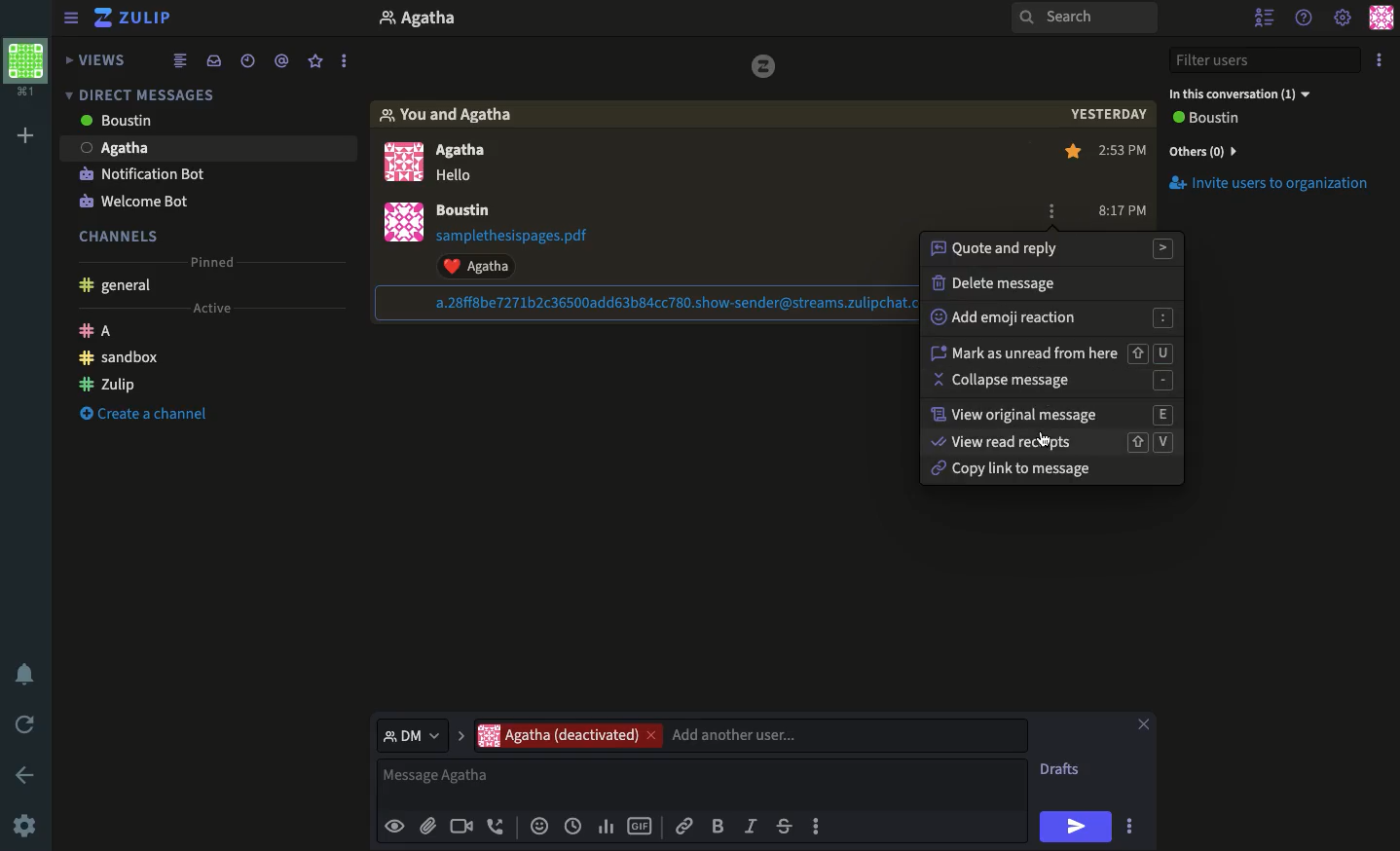  Describe the element at coordinates (24, 828) in the screenshot. I see `Settings` at that location.